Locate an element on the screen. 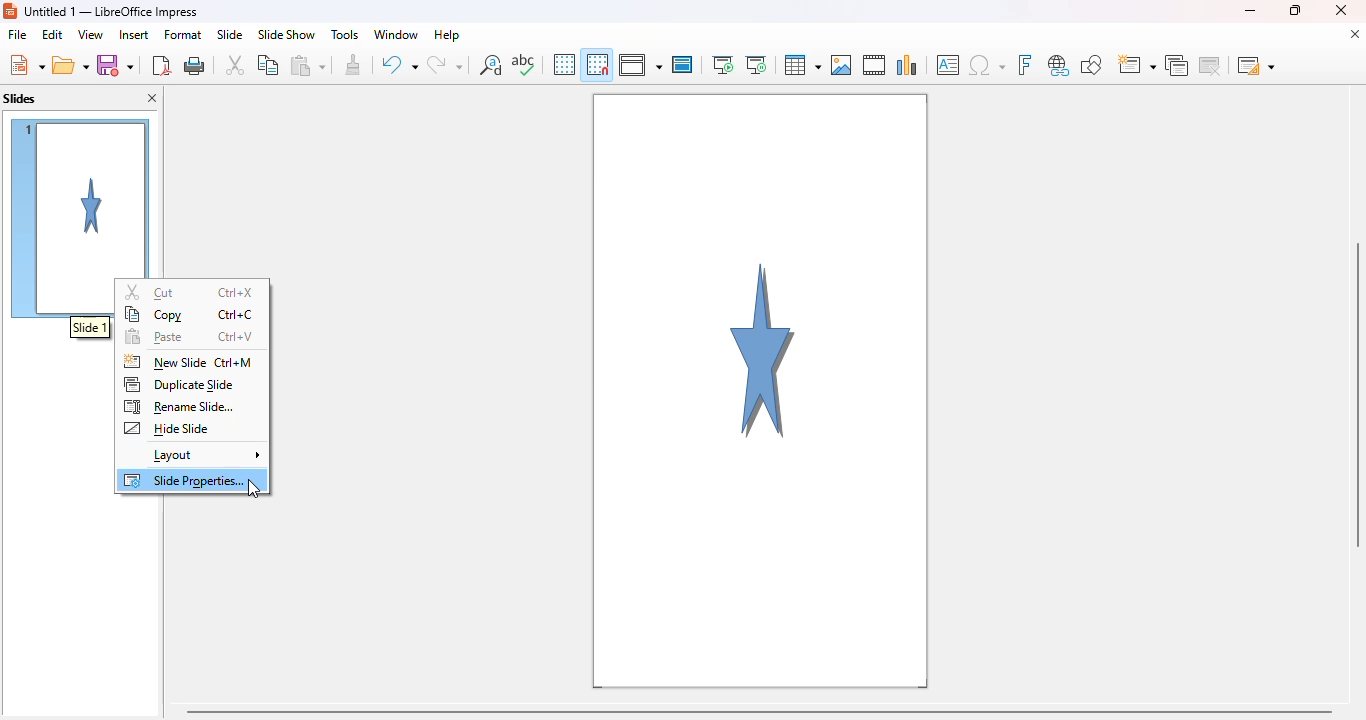 This screenshot has height=720, width=1366. format is located at coordinates (183, 35).